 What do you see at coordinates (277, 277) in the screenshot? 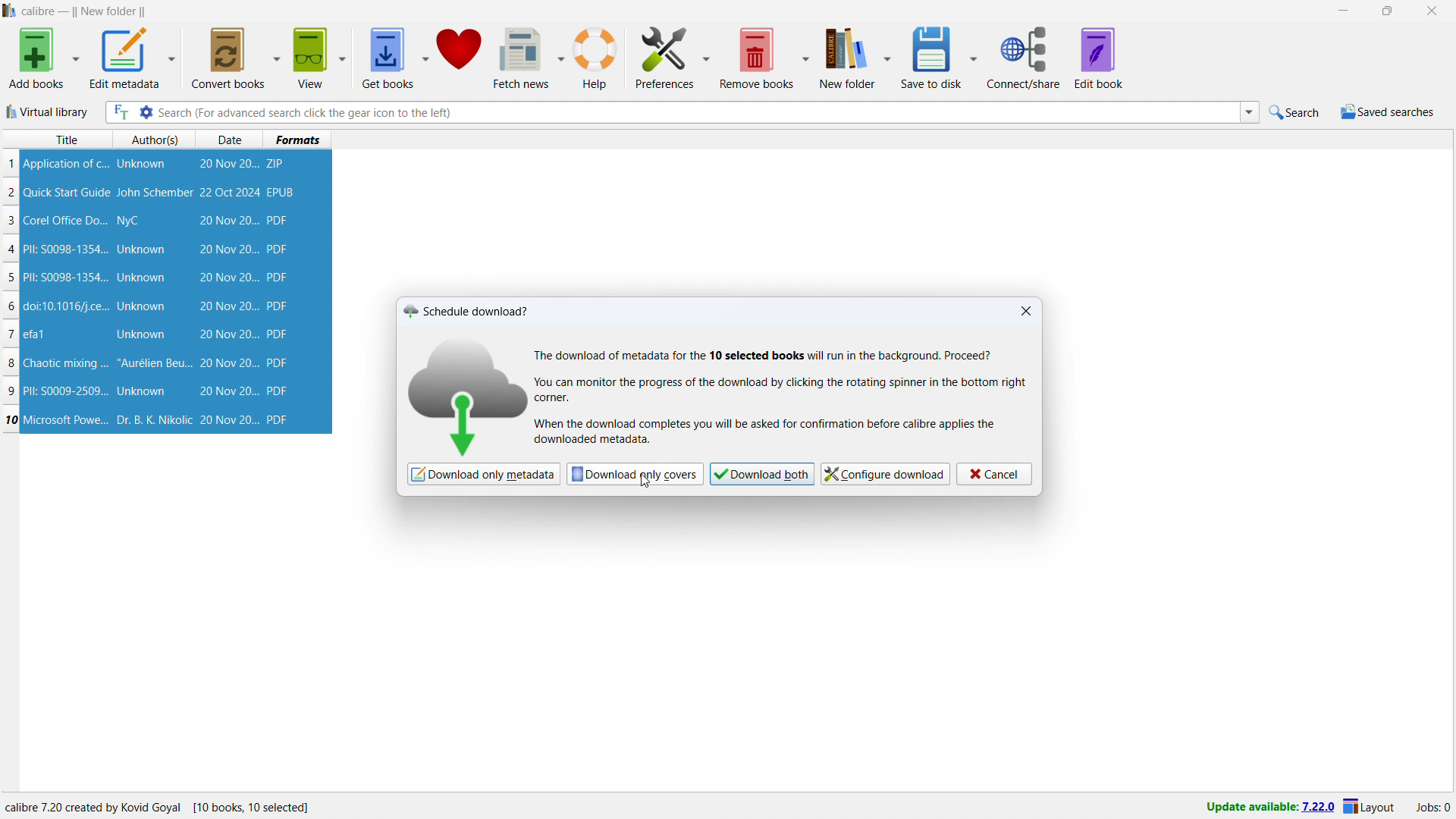
I see `PDF` at bounding box center [277, 277].